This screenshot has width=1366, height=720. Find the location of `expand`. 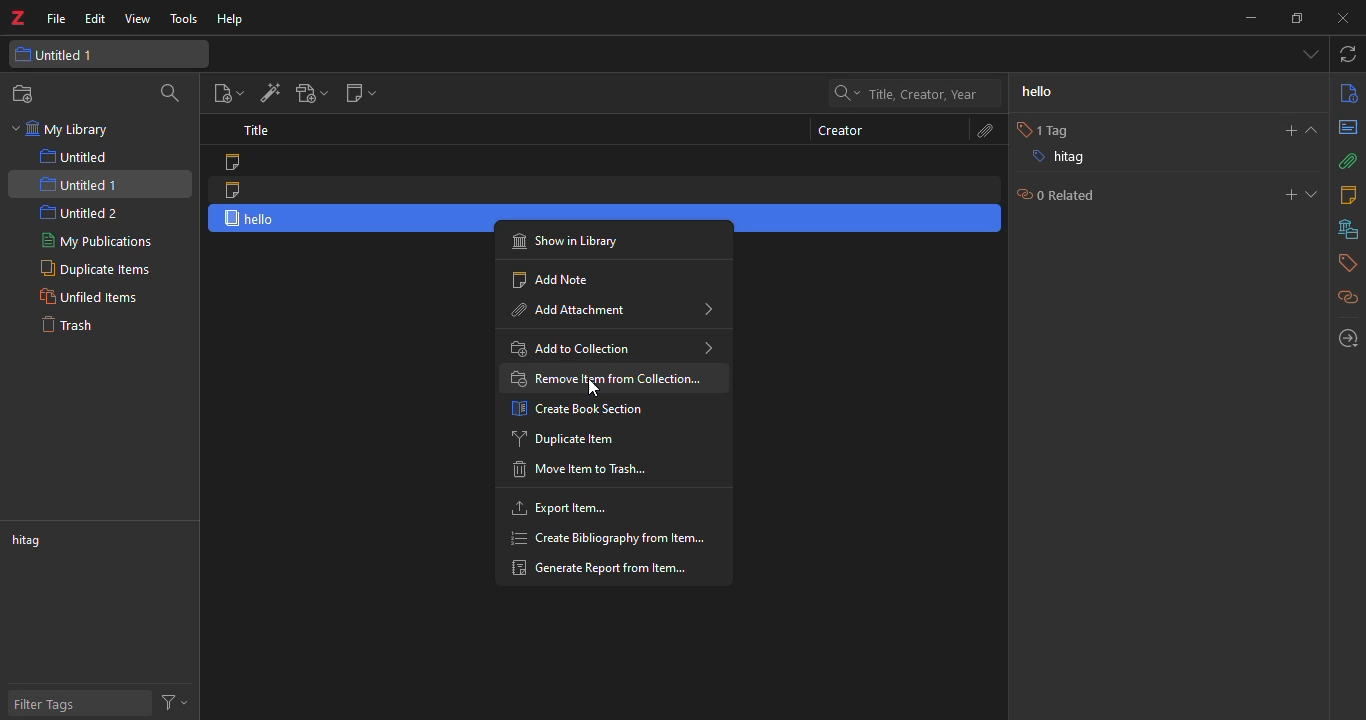

expand is located at coordinates (1313, 195).